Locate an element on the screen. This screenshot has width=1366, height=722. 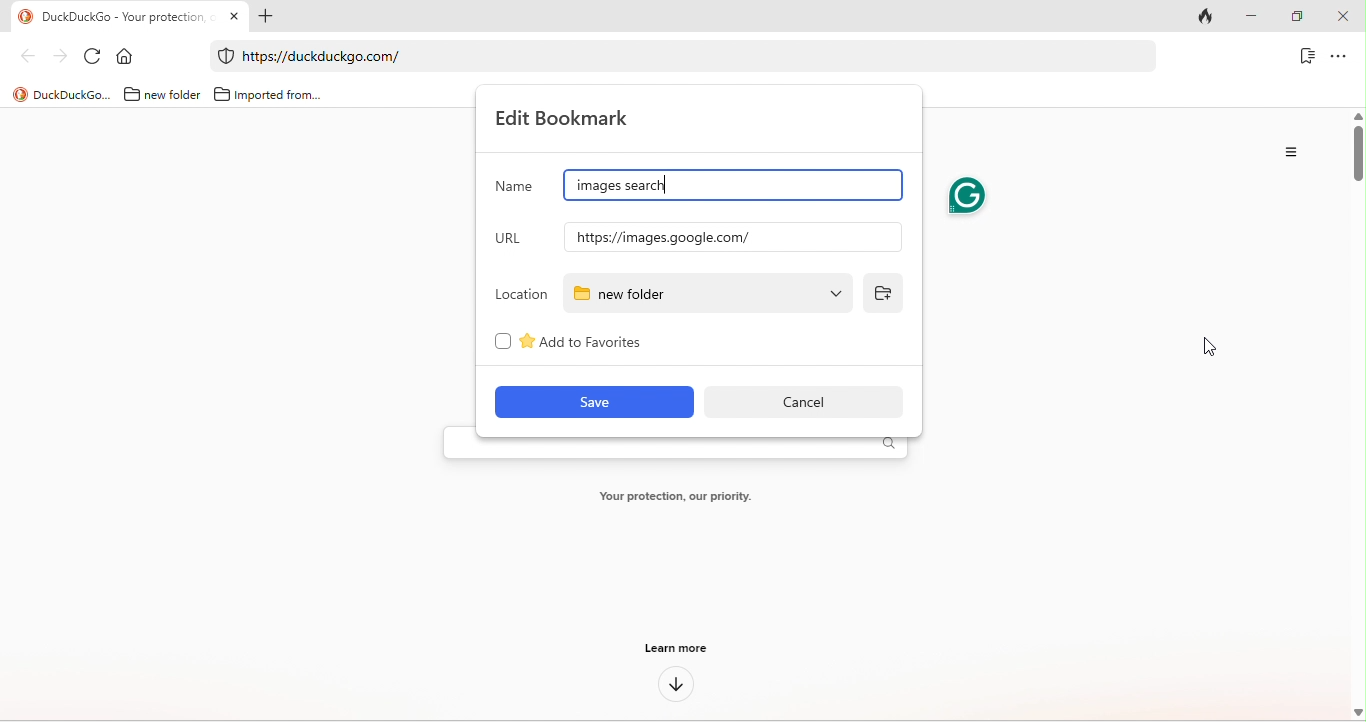
duckduckgo protection is located at coordinates (223, 56).